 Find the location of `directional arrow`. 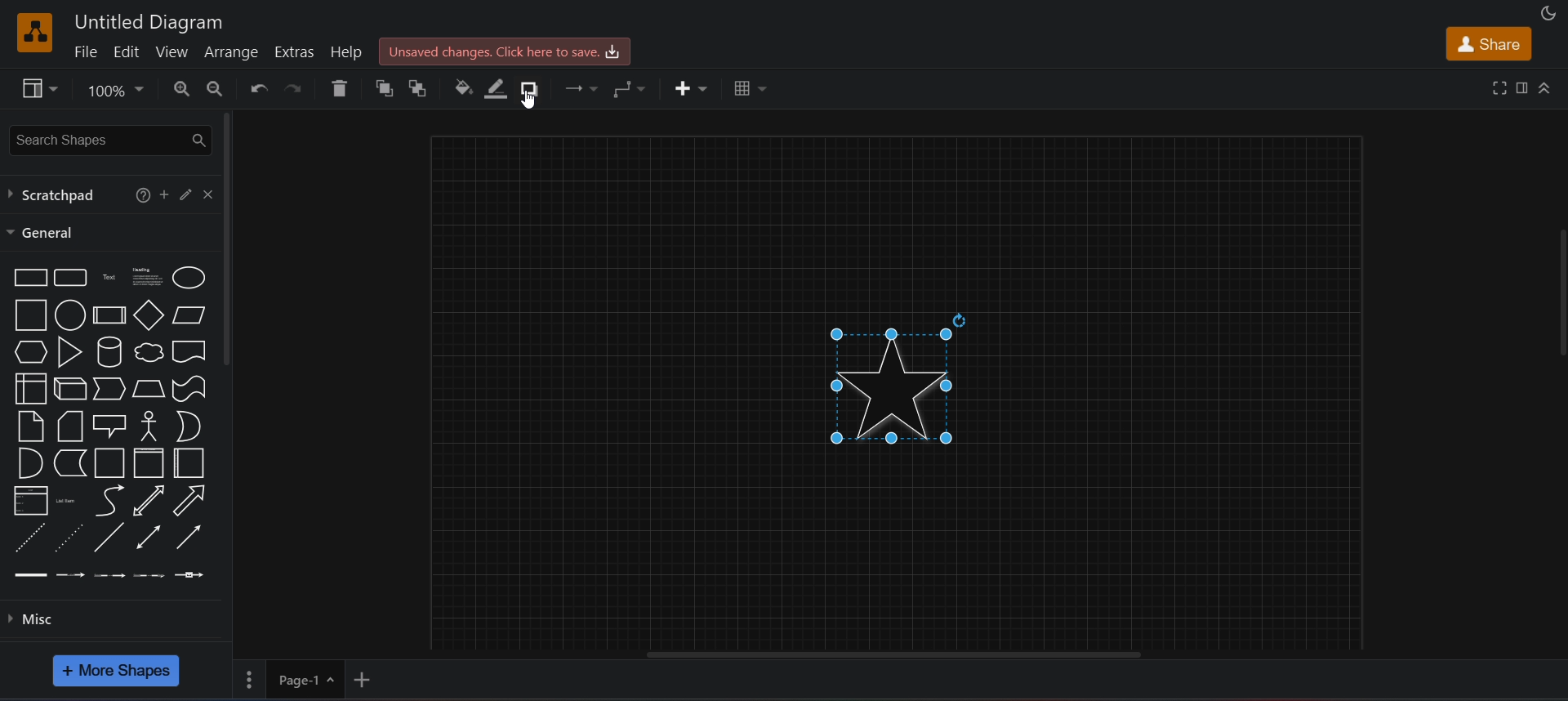

directional arrow is located at coordinates (149, 500).